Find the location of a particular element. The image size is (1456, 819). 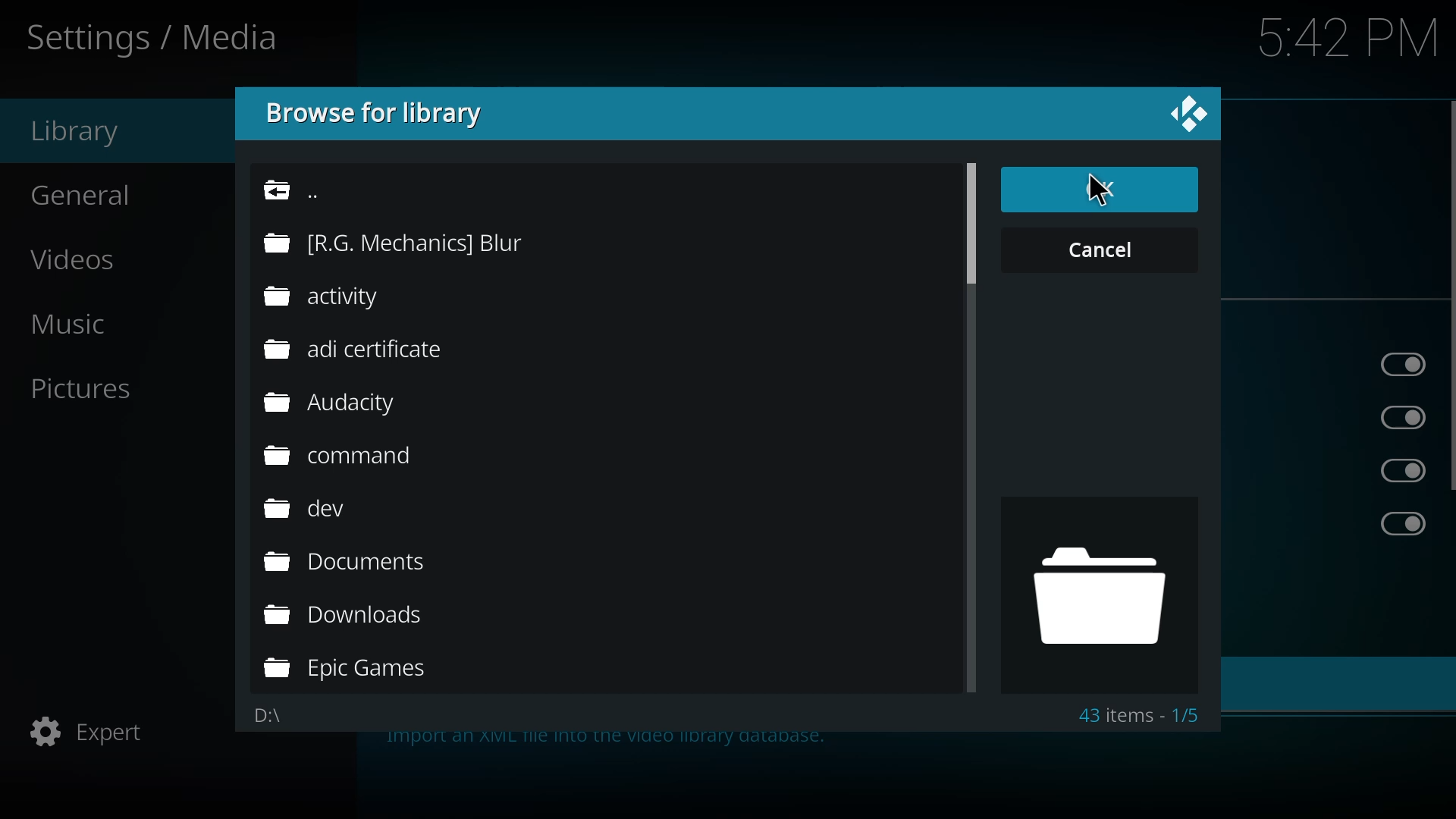

scroll bar is located at coordinates (969, 221).